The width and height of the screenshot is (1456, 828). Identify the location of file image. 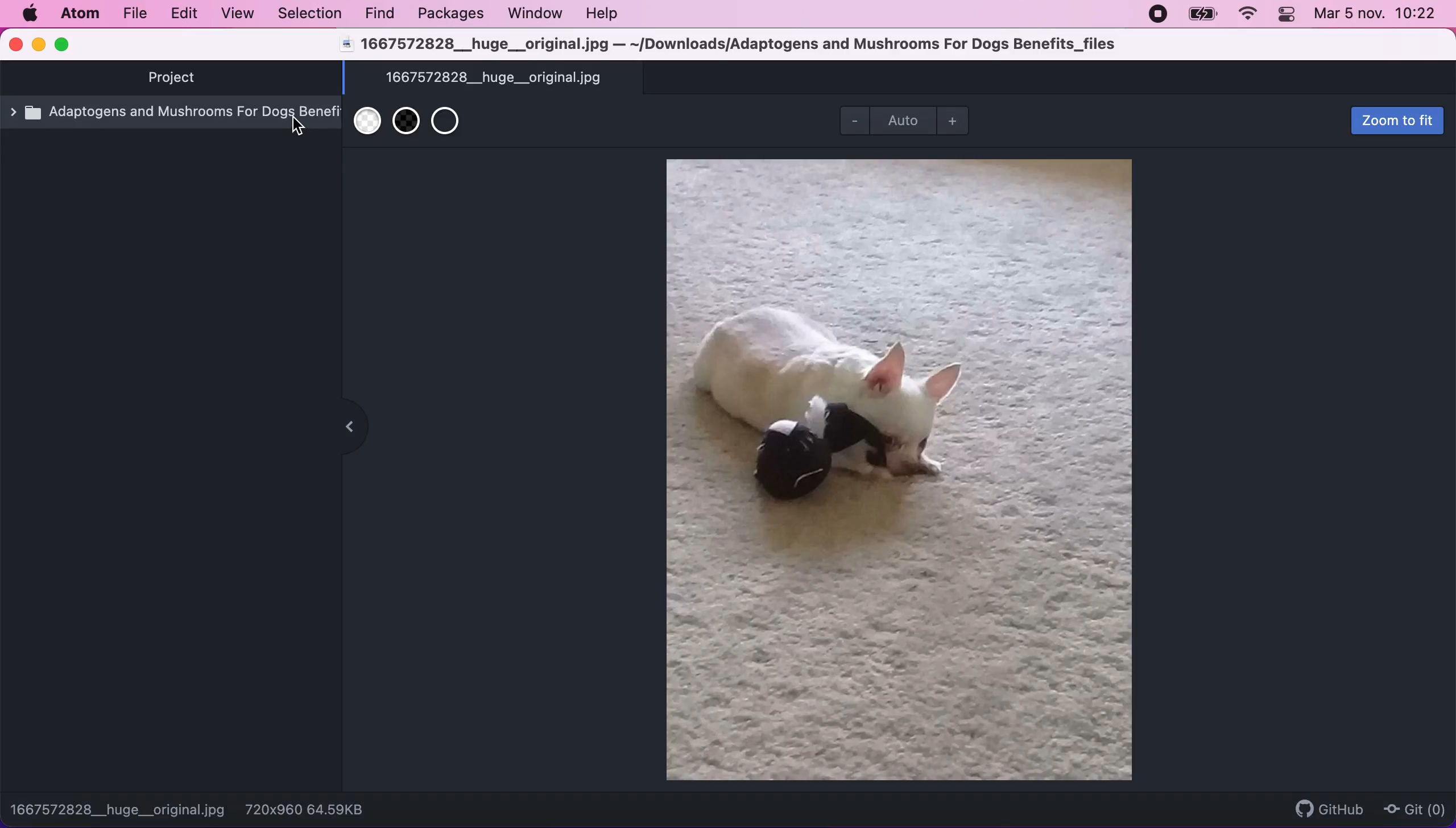
(904, 470).